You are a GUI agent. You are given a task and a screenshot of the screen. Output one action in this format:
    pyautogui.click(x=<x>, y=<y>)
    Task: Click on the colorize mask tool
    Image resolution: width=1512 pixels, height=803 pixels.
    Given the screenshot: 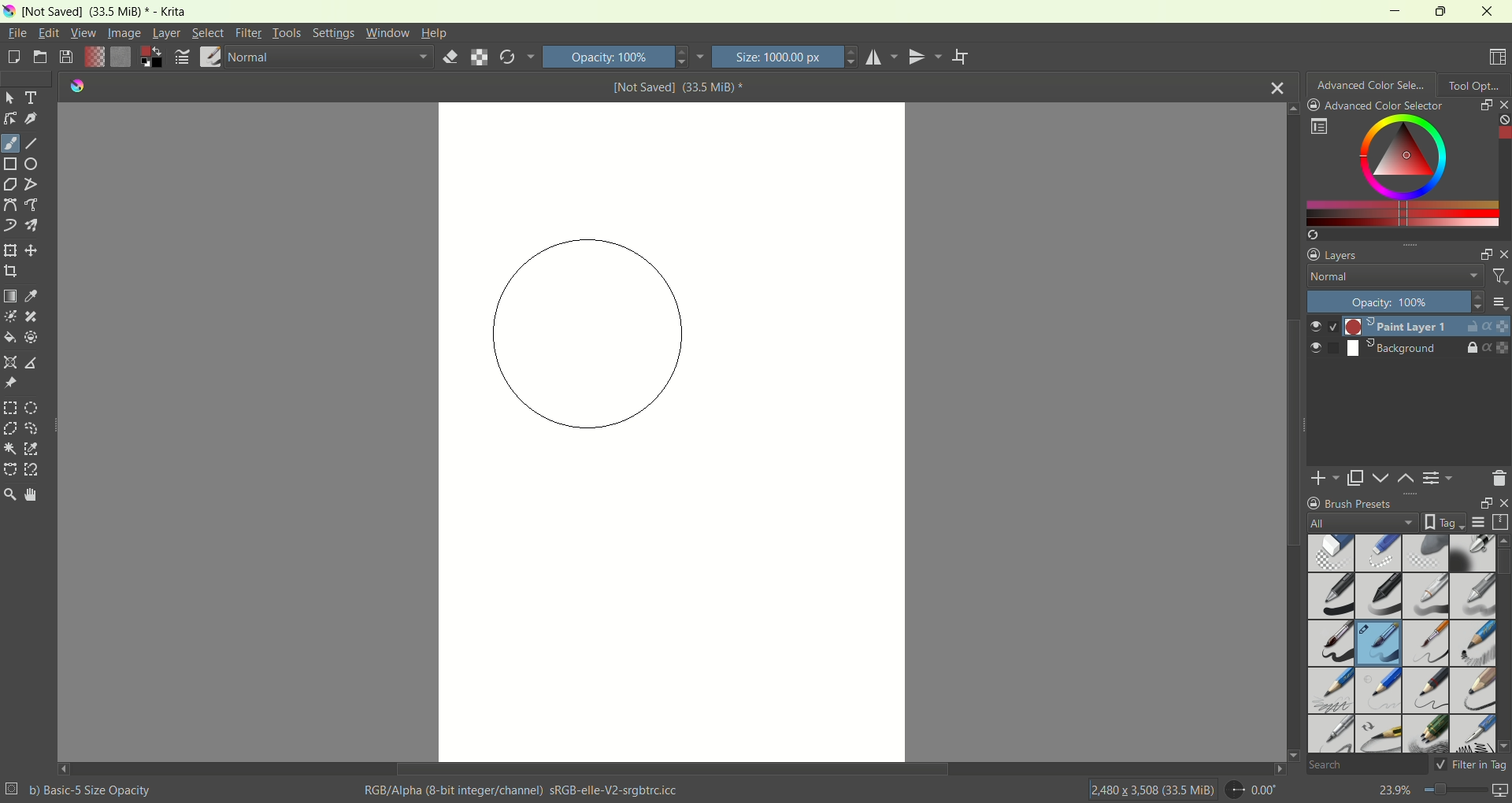 What is the action you would take?
    pyautogui.click(x=11, y=316)
    